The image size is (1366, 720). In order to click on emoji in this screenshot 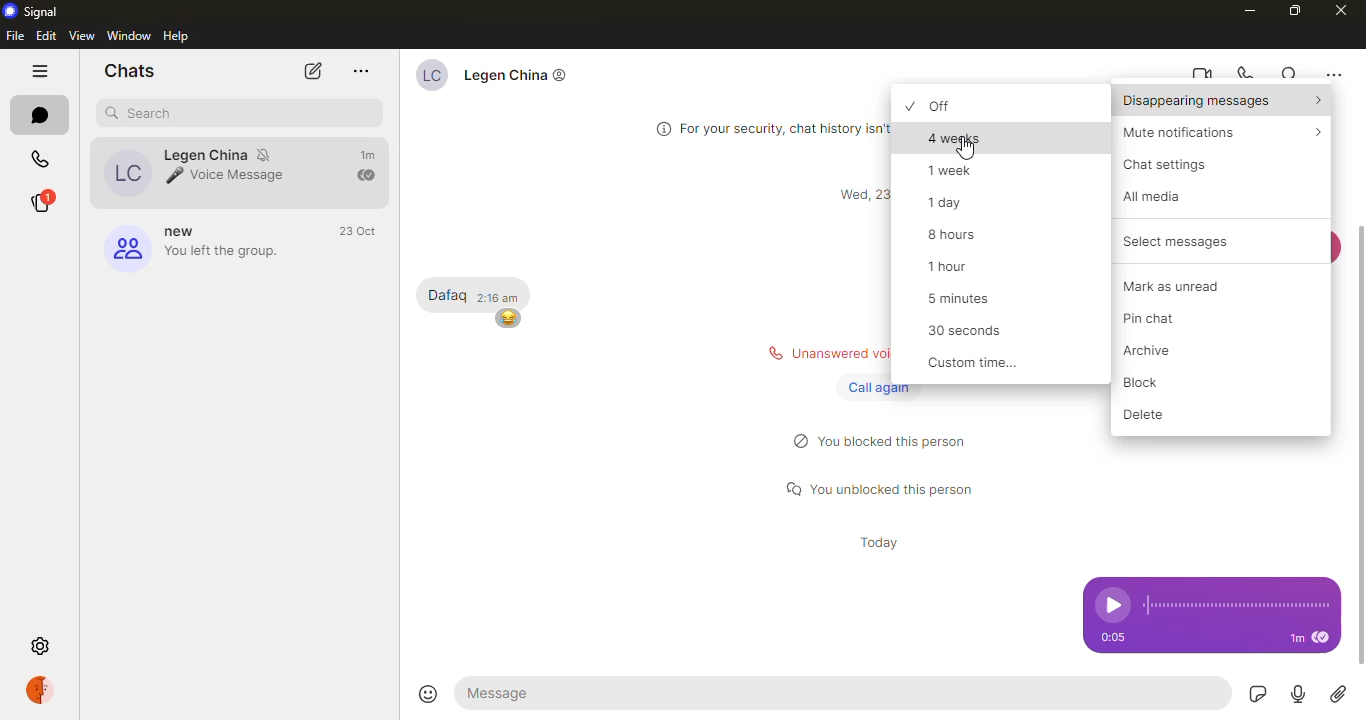, I will do `click(427, 690)`.